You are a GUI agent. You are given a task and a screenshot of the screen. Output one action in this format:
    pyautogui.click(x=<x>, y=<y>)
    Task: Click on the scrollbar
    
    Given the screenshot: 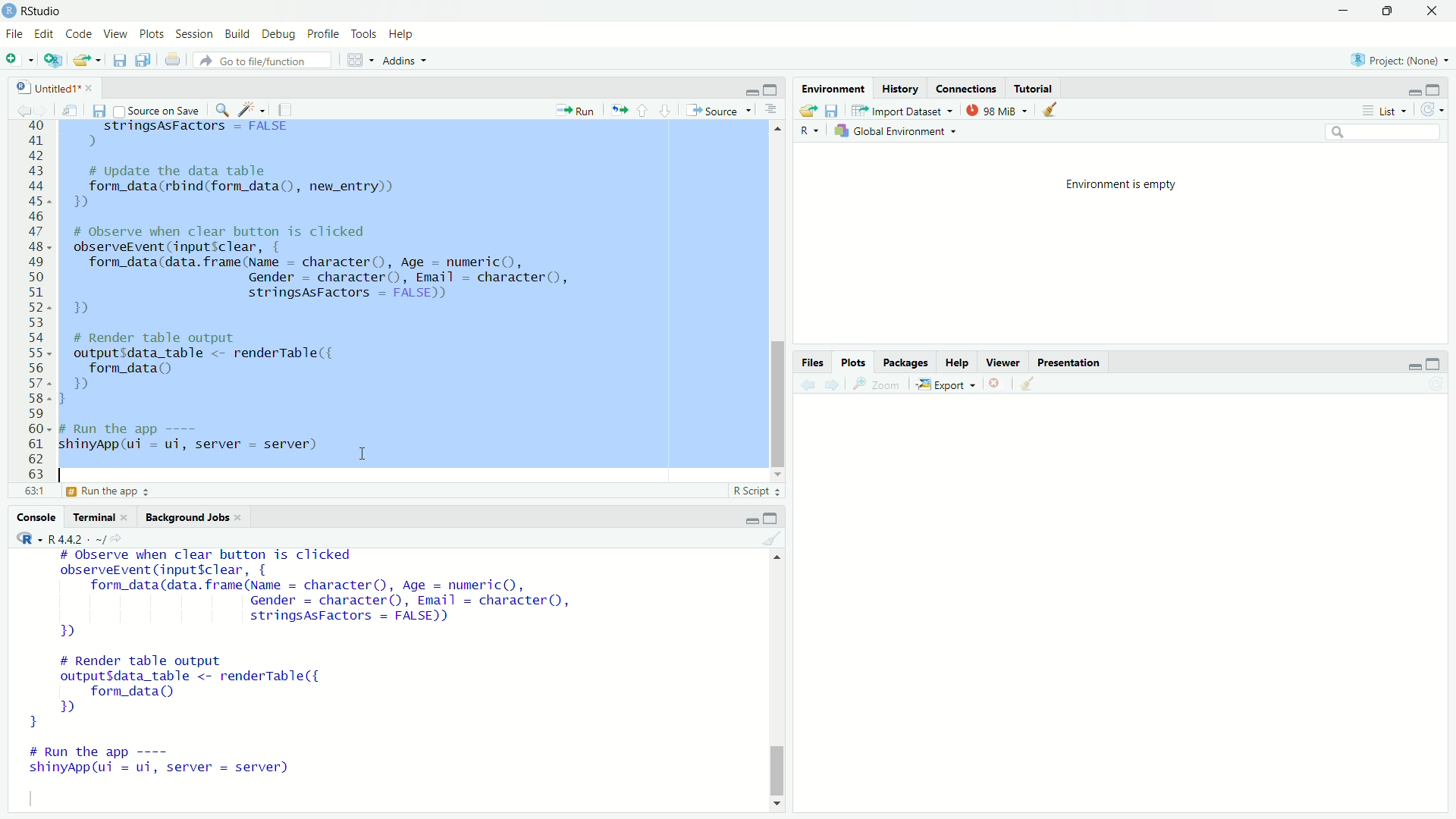 What is the action you would take?
    pyautogui.click(x=778, y=306)
    